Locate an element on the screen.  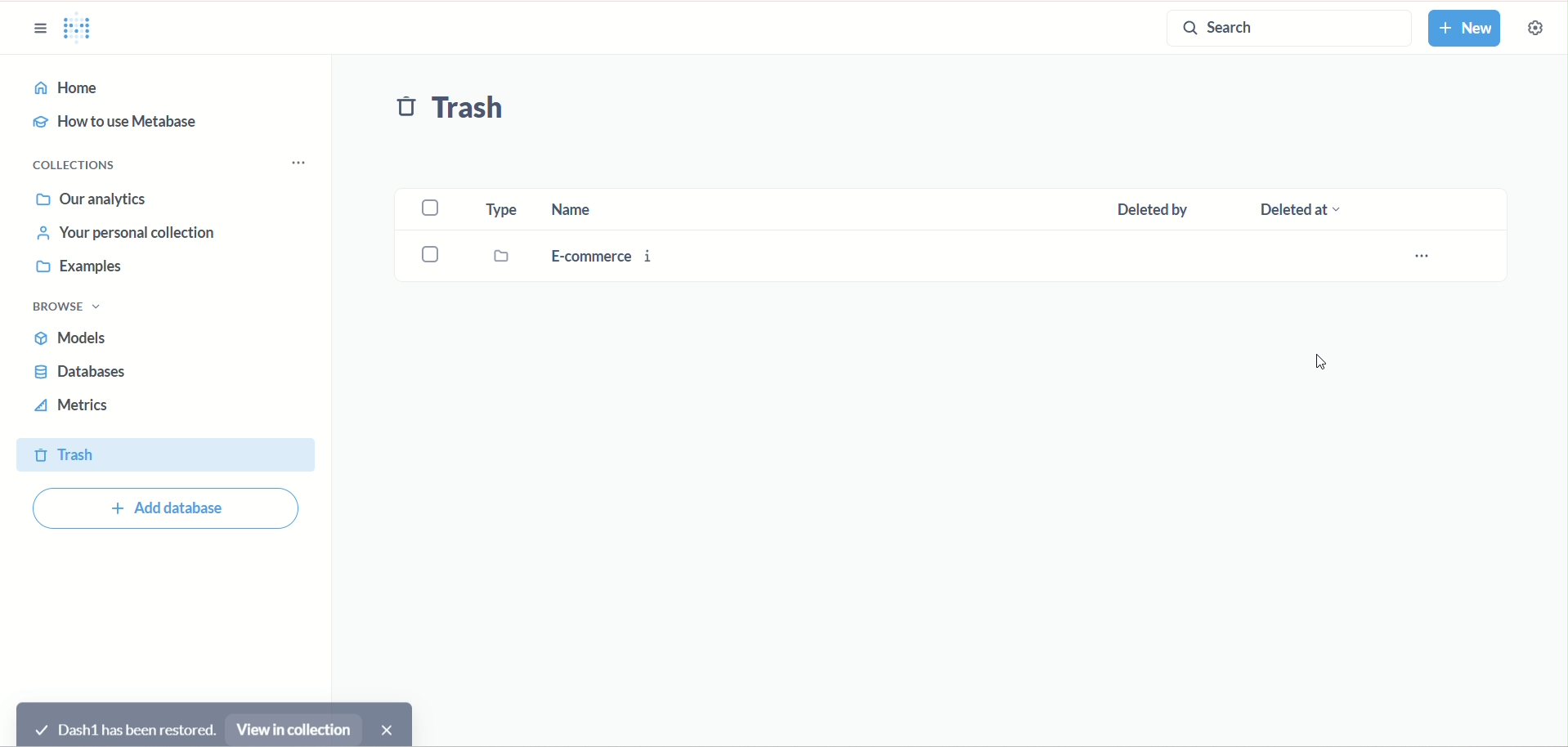
our annalytics is located at coordinates (96, 198).